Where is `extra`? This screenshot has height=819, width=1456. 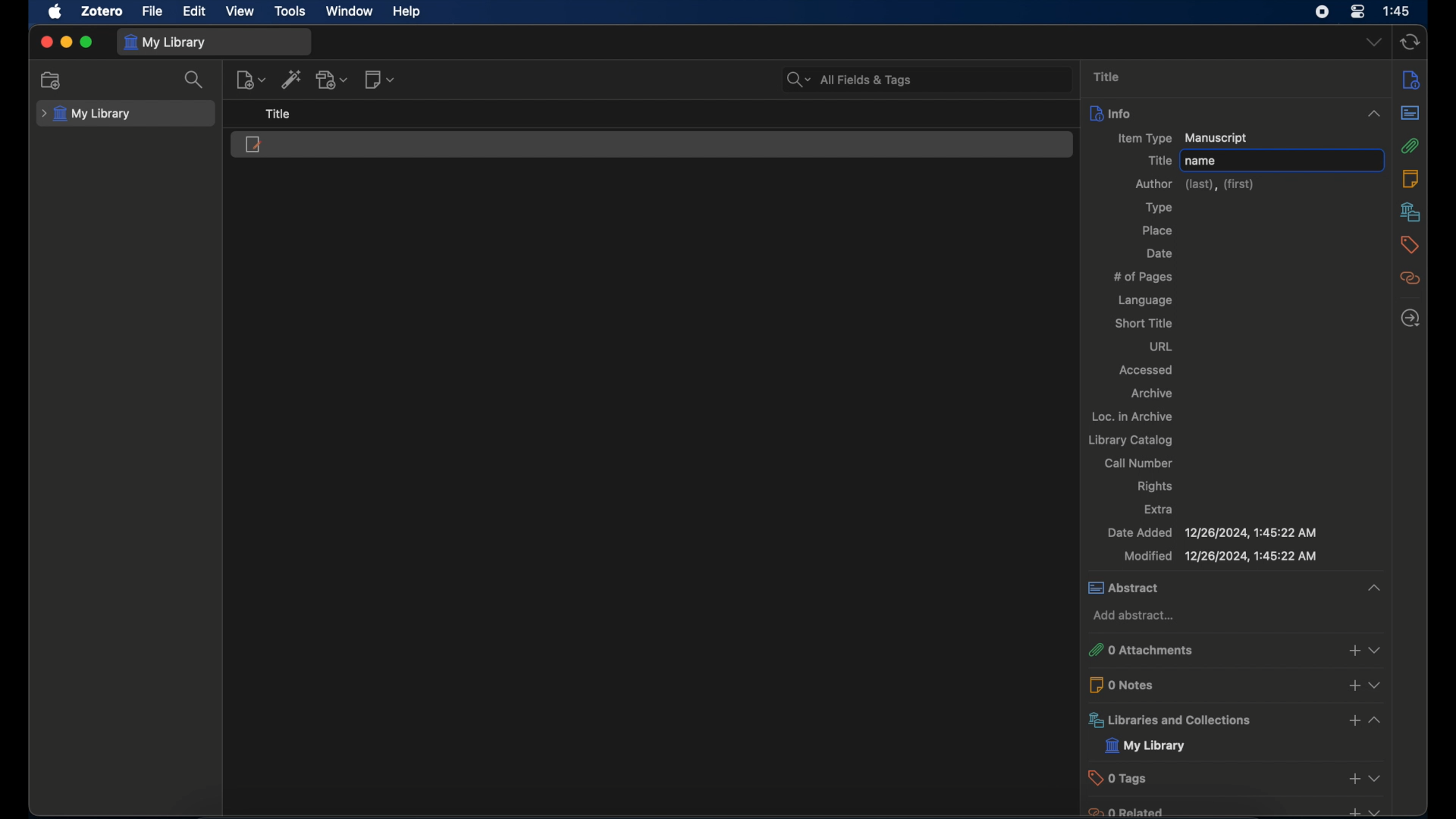 extra is located at coordinates (1160, 509).